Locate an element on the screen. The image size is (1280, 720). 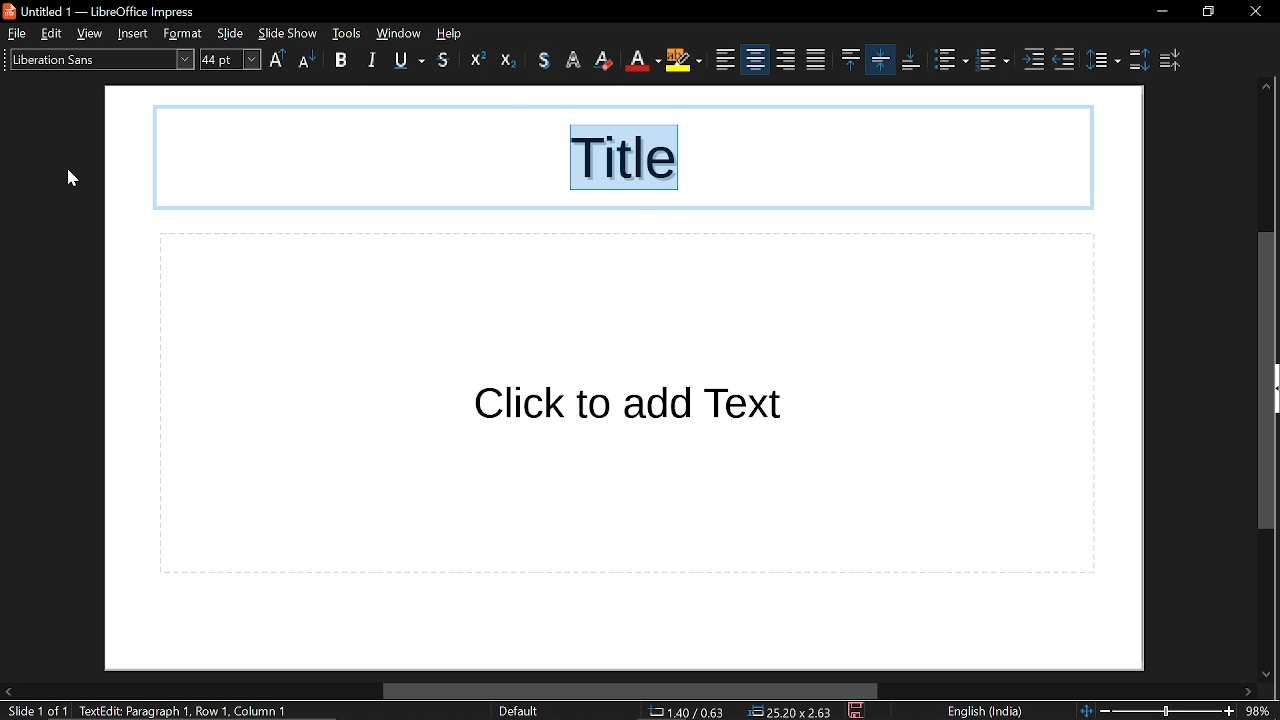
erase is located at coordinates (574, 60).